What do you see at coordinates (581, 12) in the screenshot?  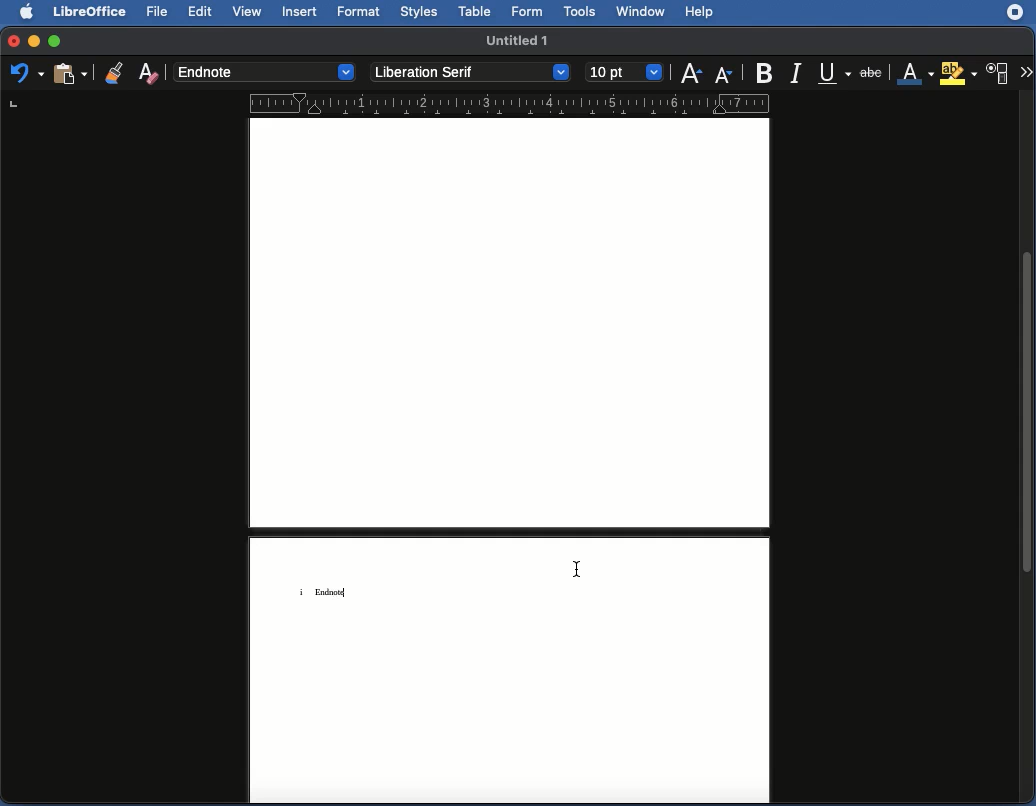 I see `Tools` at bounding box center [581, 12].